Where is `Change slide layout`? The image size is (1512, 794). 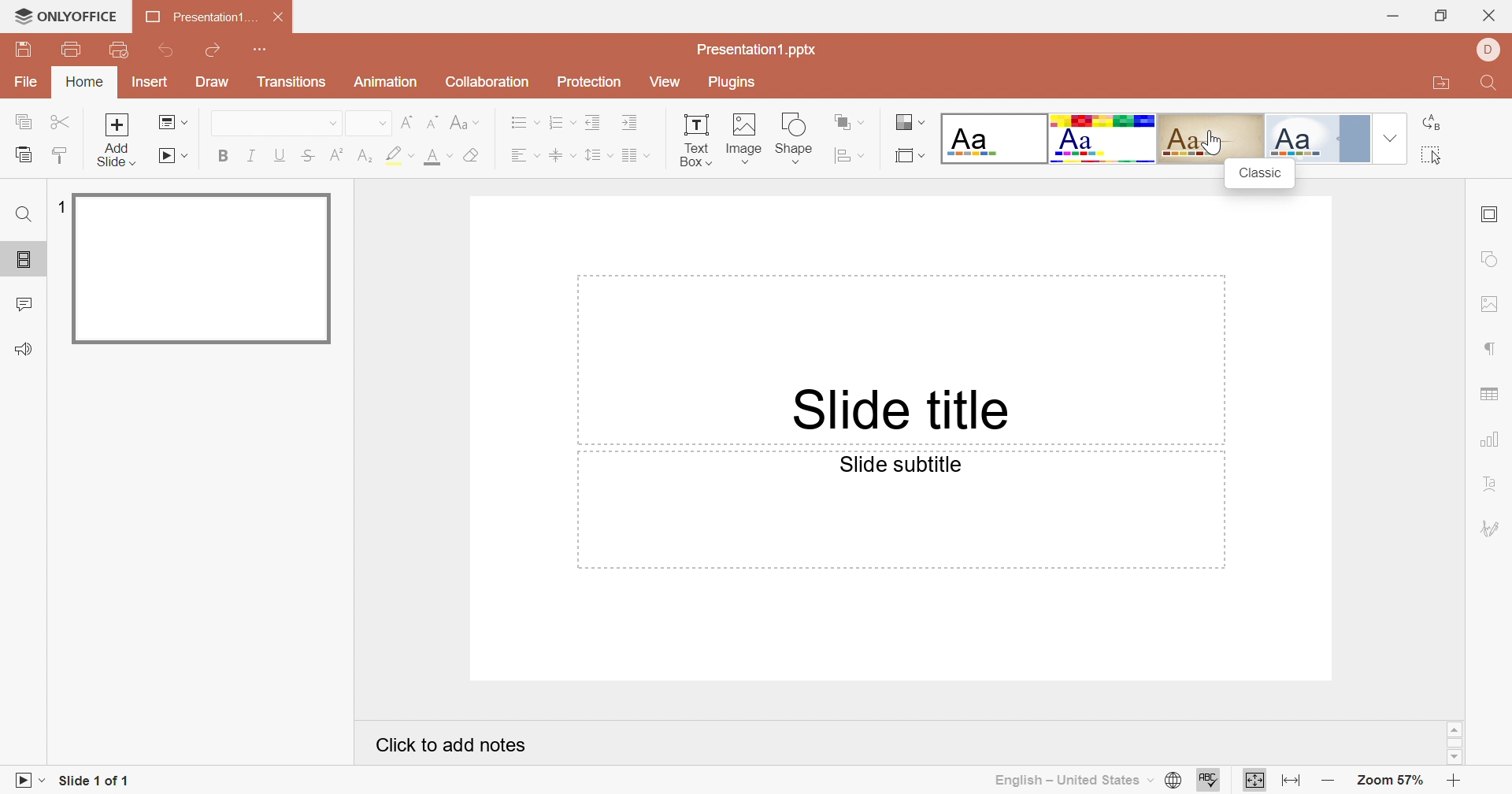 Change slide layout is located at coordinates (166, 121).